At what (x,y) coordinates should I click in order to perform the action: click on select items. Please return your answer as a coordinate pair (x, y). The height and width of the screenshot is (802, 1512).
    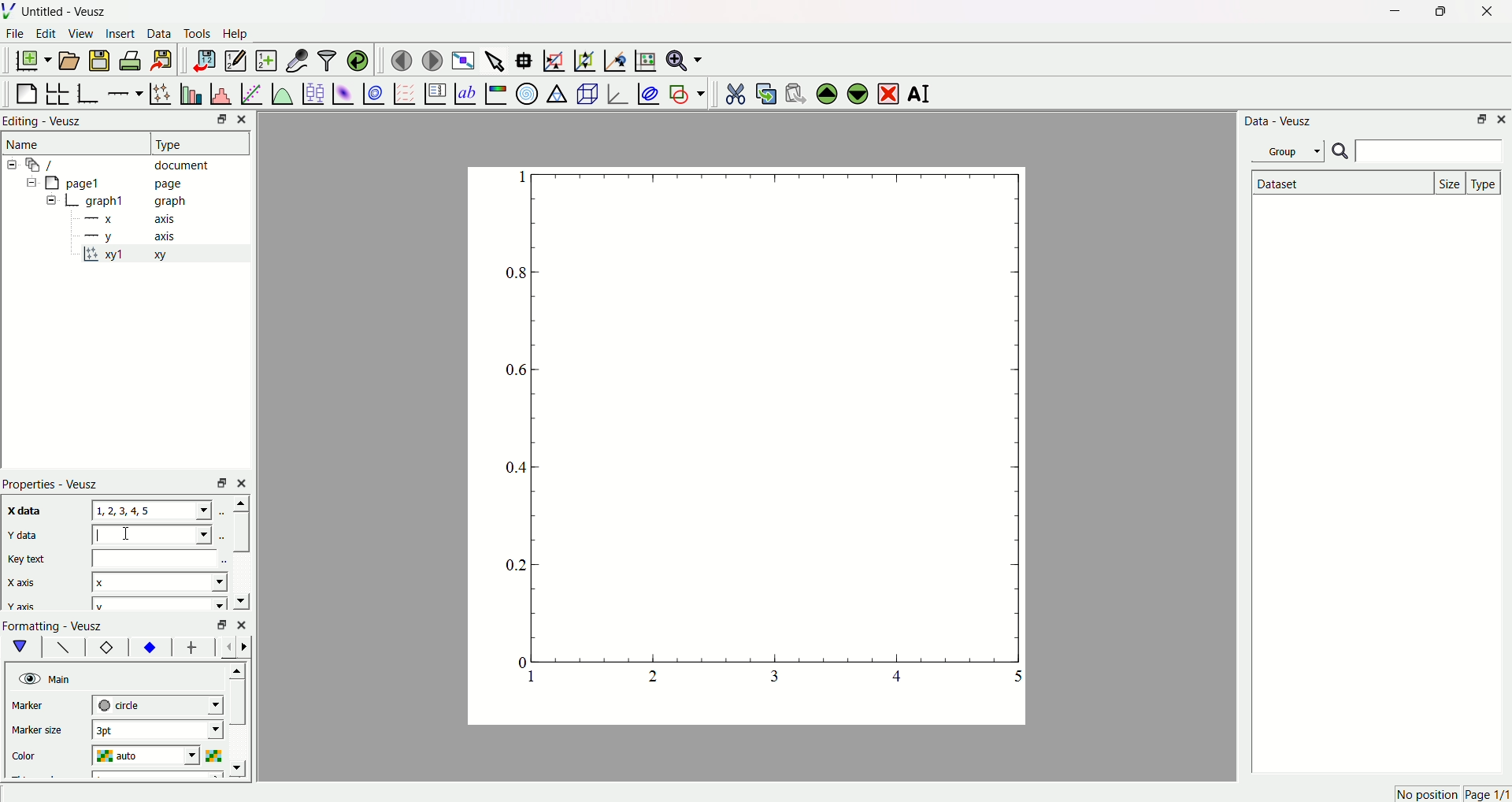
    Looking at the image, I should click on (496, 58).